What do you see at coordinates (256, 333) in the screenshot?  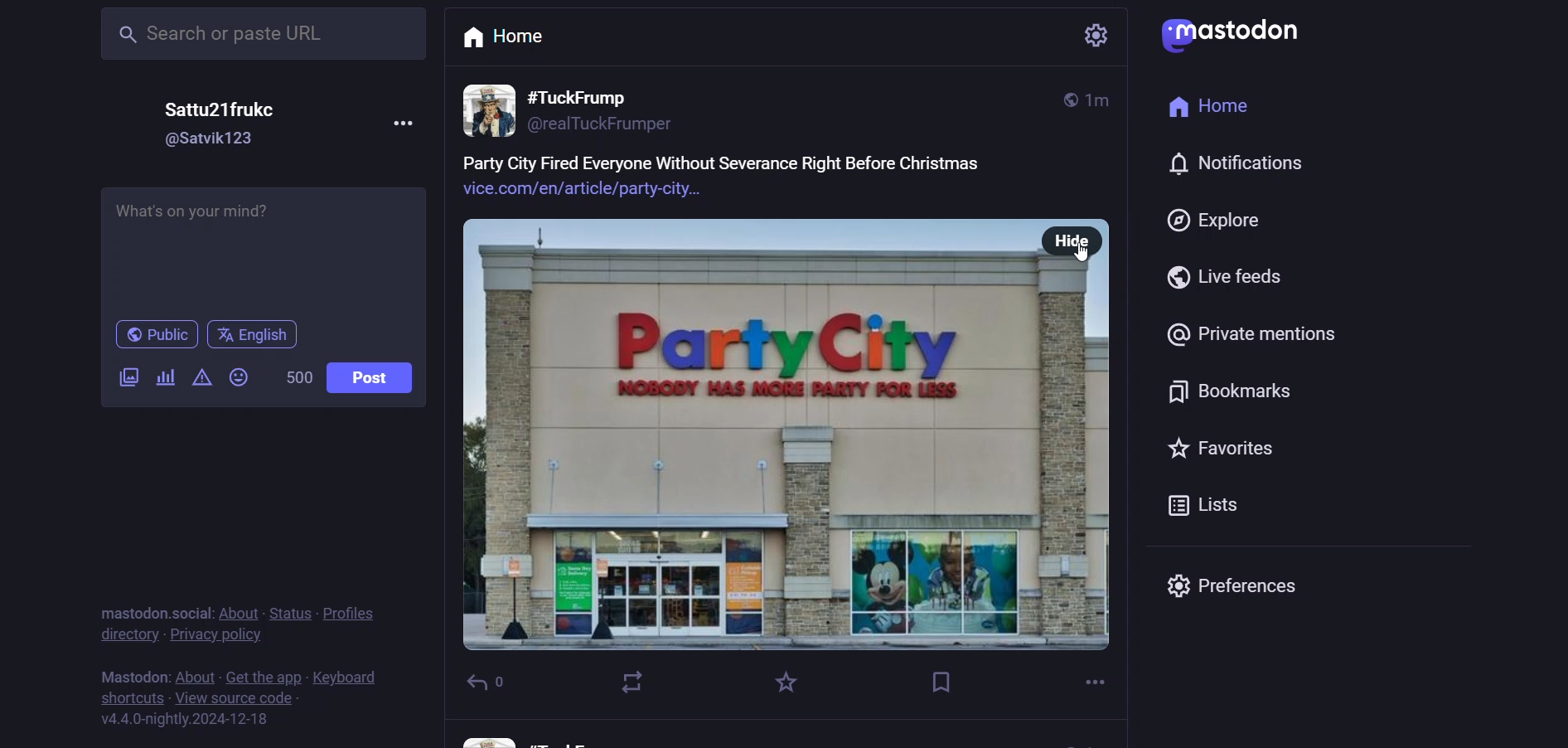 I see `Language` at bounding box center [256, 333].